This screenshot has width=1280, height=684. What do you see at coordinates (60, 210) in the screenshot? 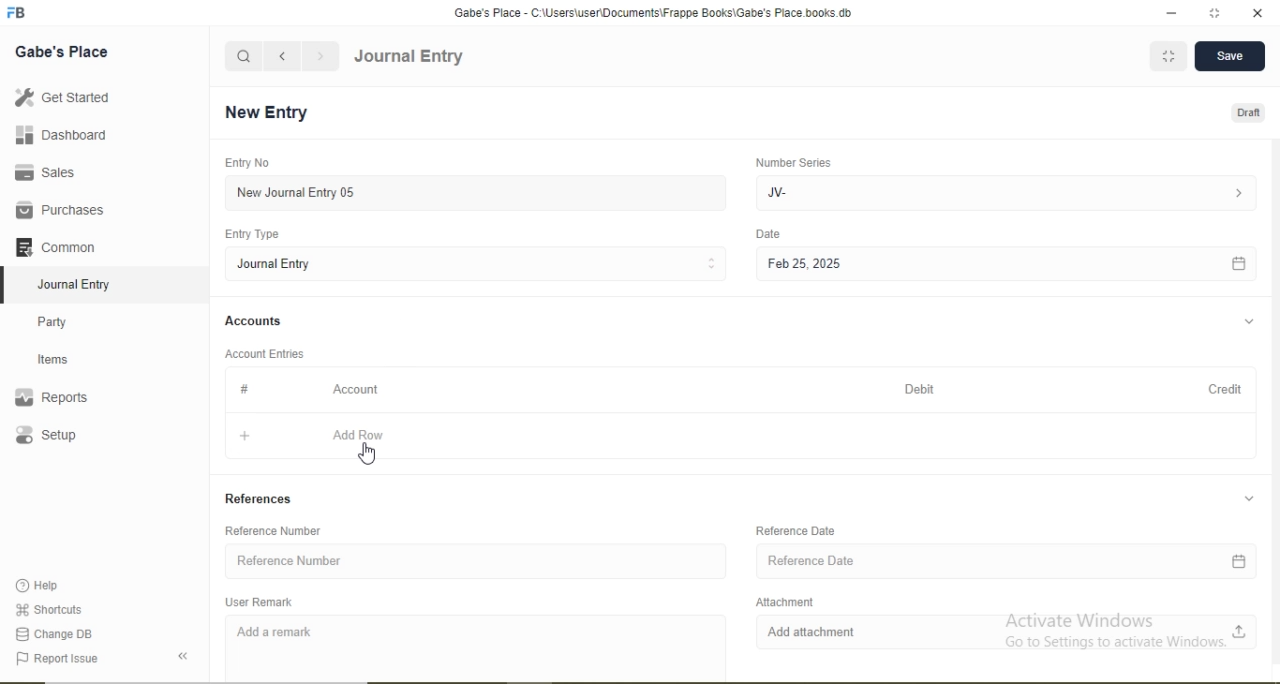
I see `Purchases` at bounding box center [60, 210].